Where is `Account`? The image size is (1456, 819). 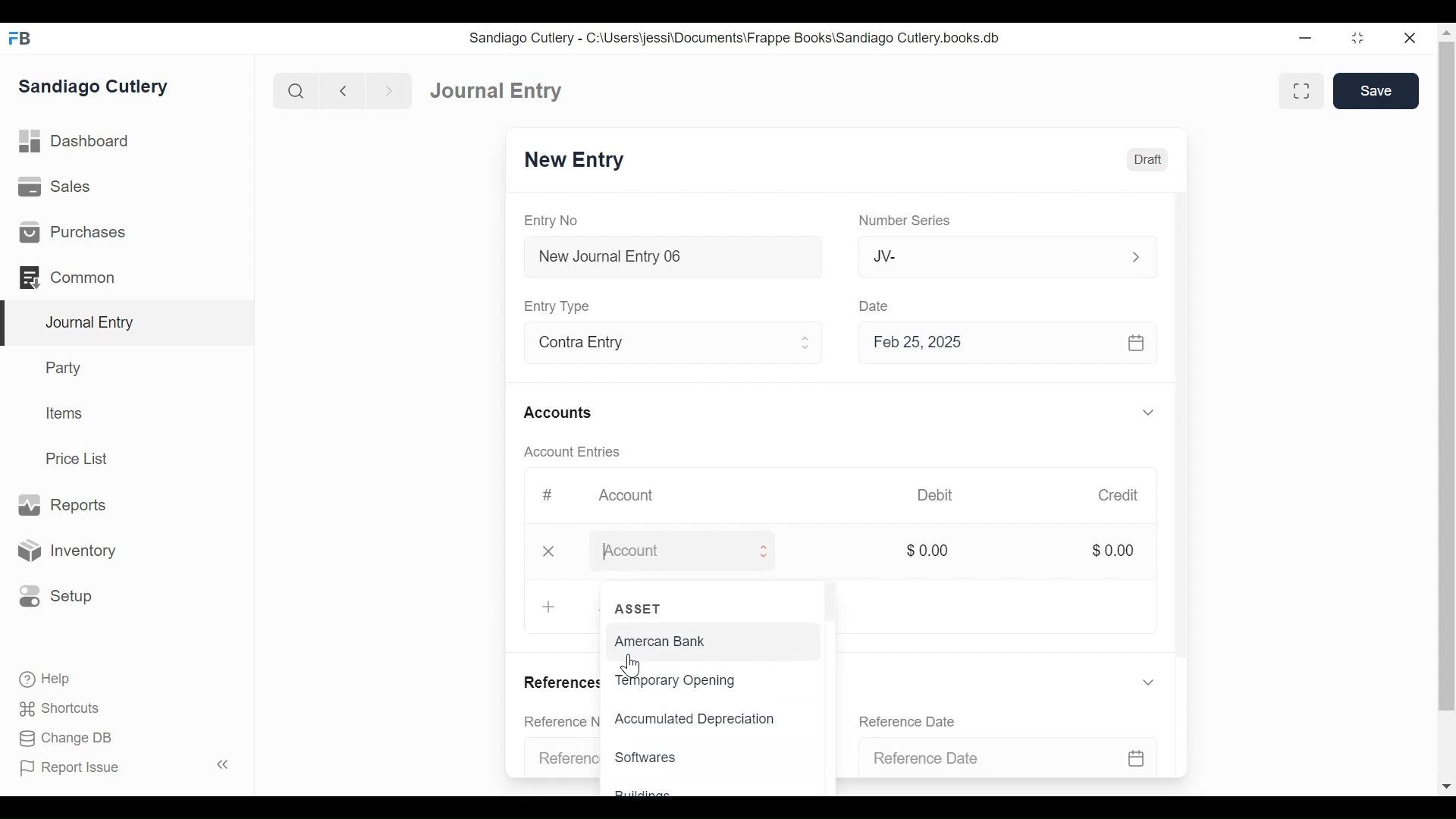
Account is located at coordinates (631, 494).